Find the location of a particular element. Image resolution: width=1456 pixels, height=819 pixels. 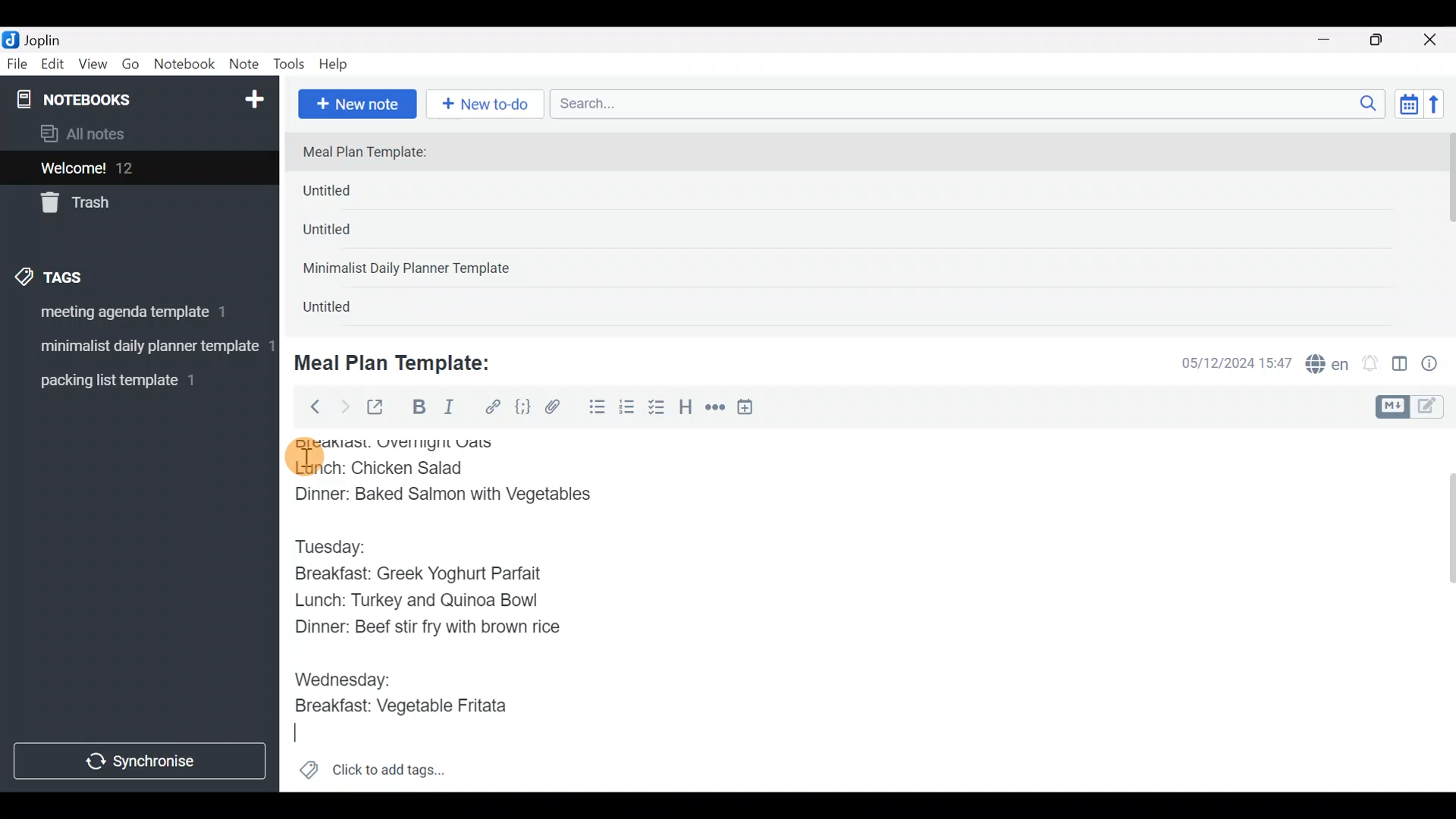

Insert time is located at coordinates (752, 409).